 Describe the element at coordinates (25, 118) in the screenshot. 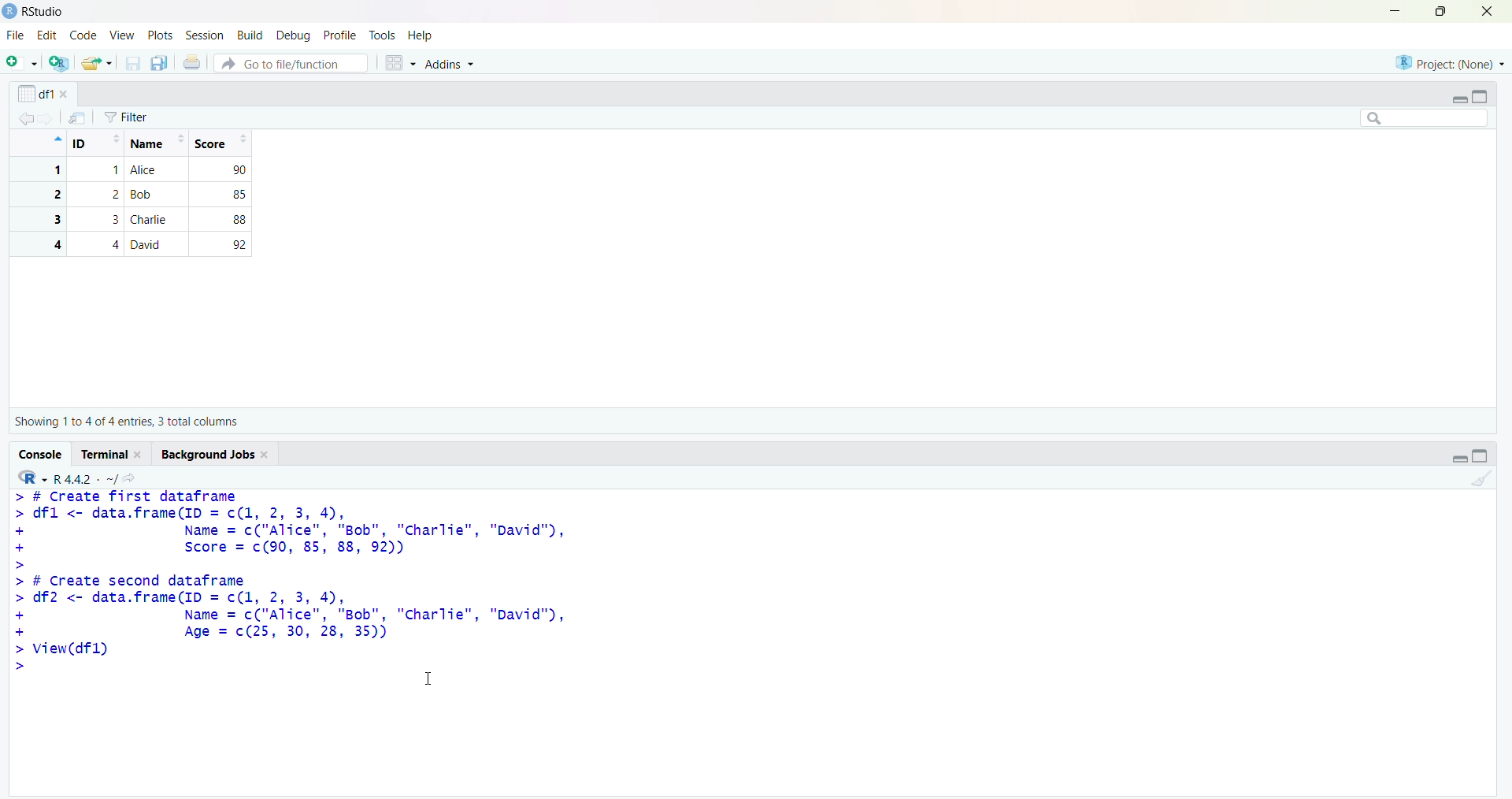

I see `backward` at that location.